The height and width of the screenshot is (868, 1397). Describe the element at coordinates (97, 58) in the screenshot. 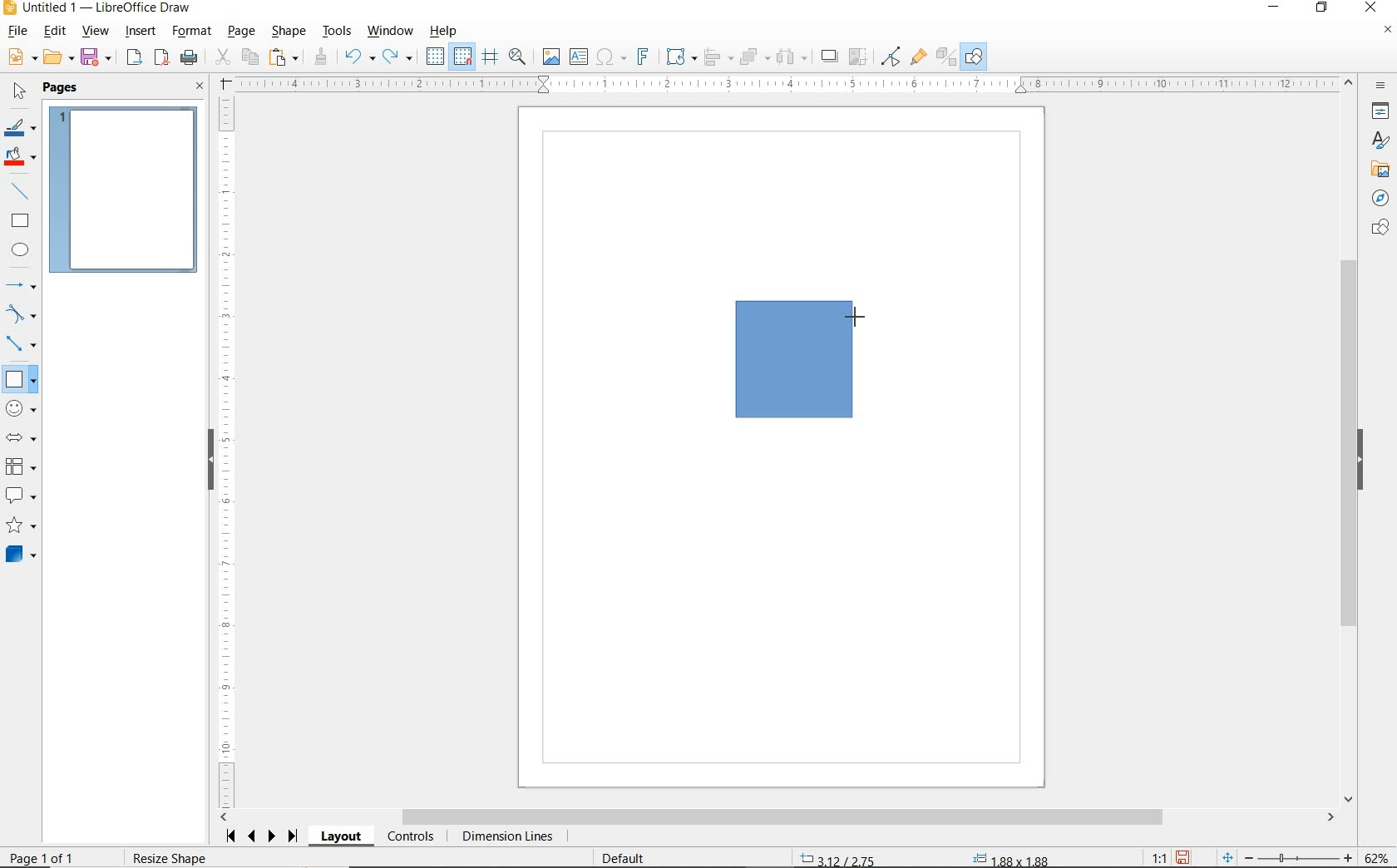

I see `SAVE` at that location.